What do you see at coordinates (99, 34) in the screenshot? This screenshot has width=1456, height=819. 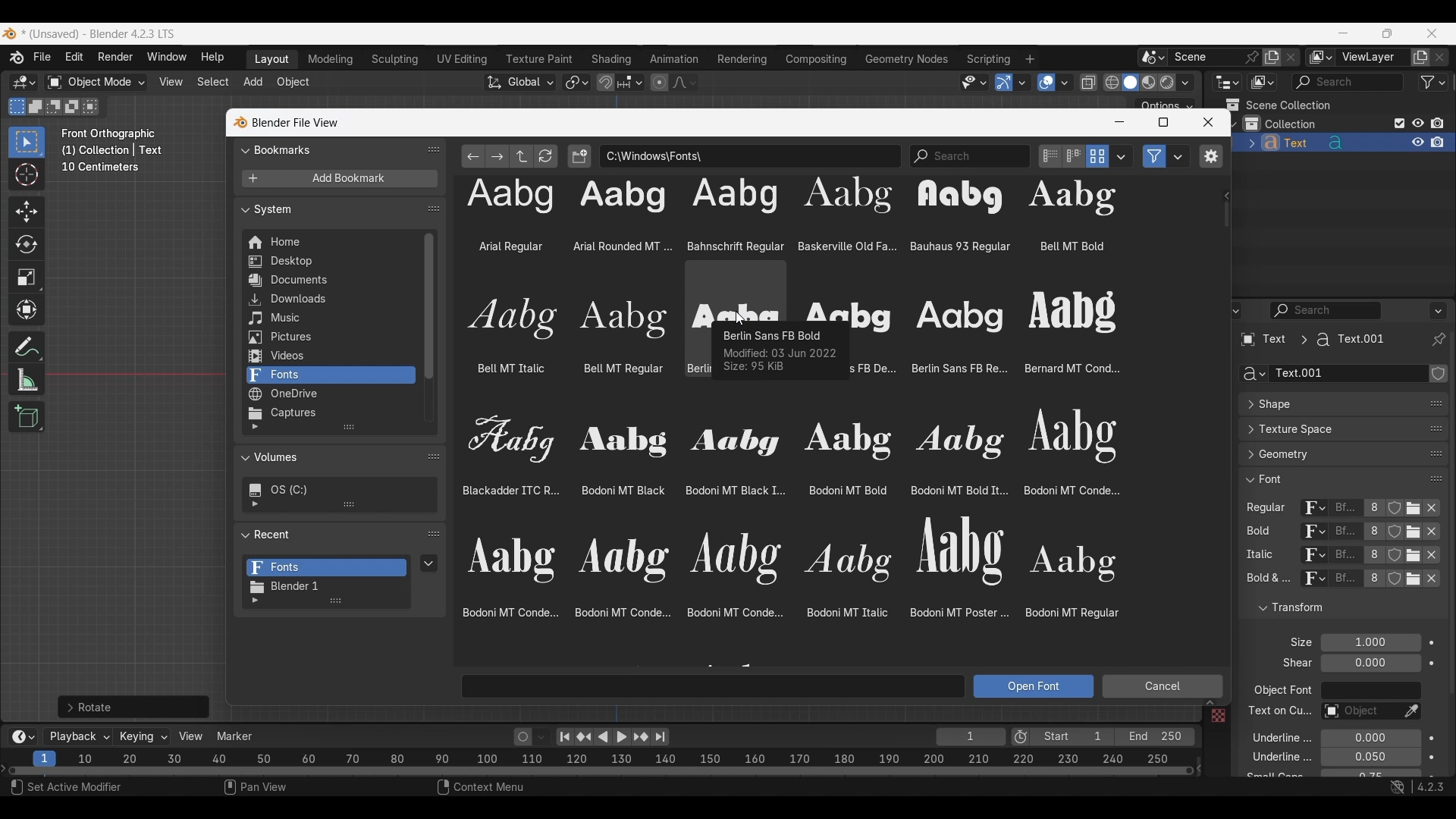 I see `Project and software name` at bounding box center [99, 34].